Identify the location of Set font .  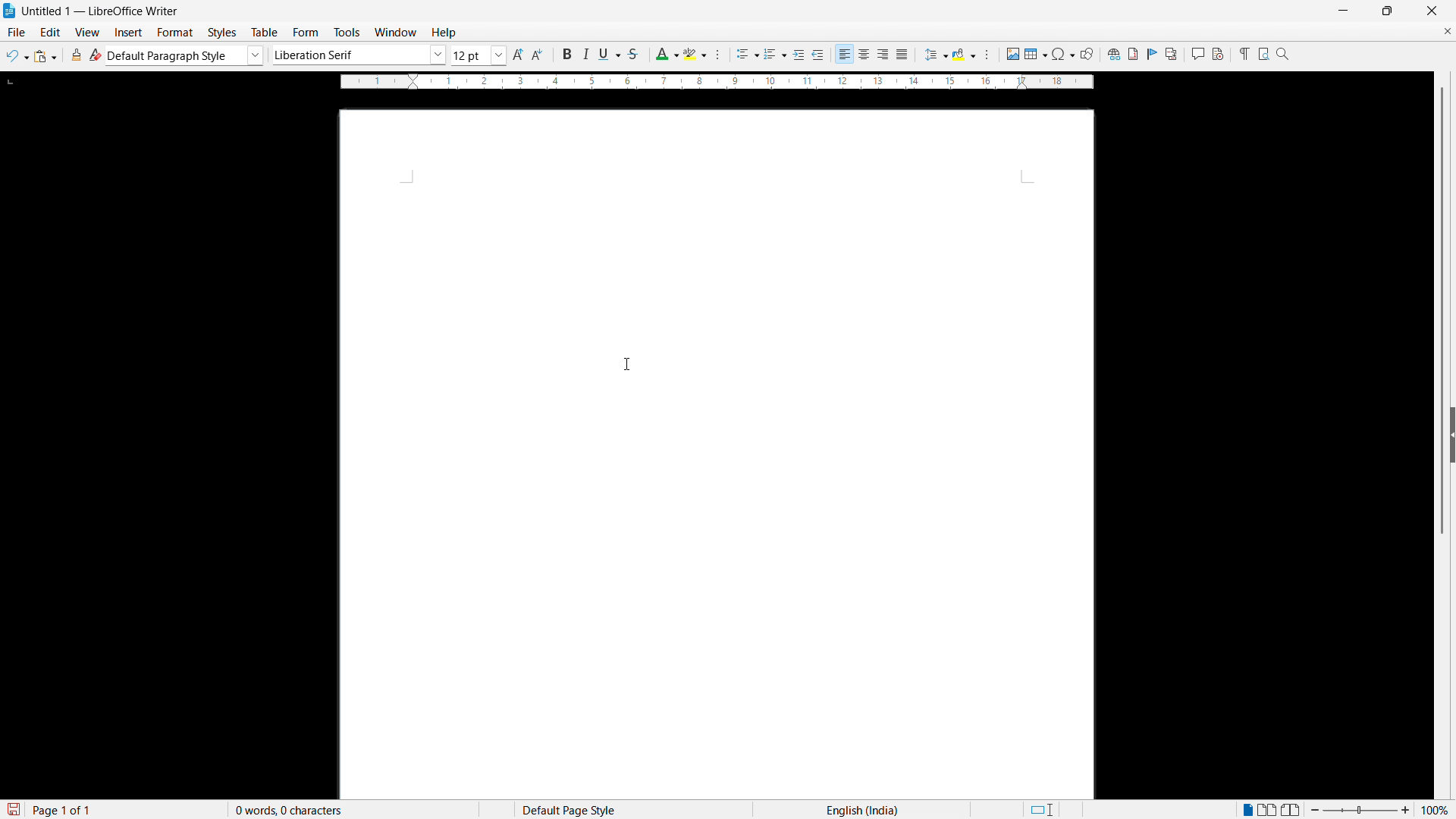
(359, 55).